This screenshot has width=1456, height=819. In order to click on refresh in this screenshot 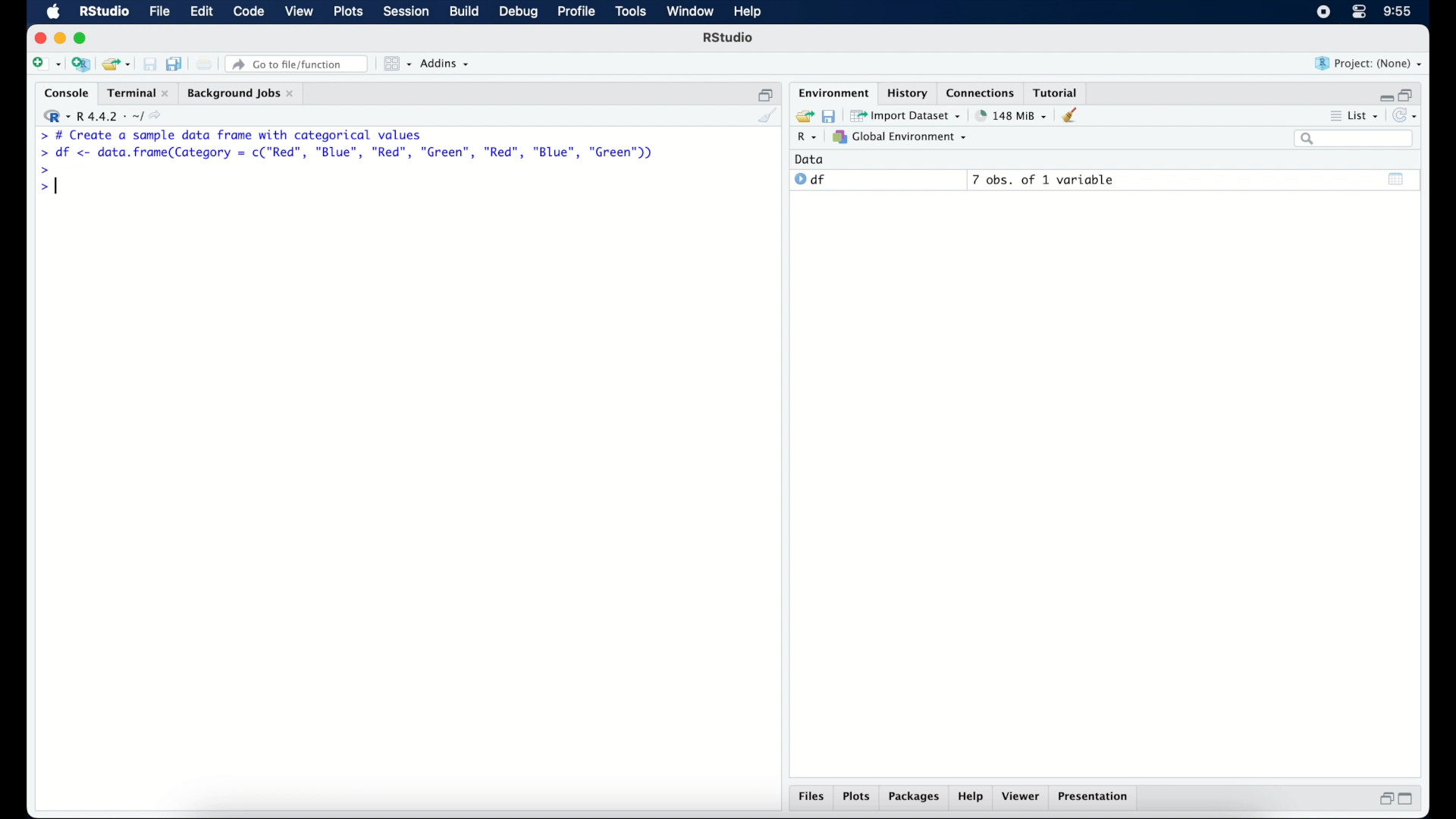, I will do `click(1407, 115)`.